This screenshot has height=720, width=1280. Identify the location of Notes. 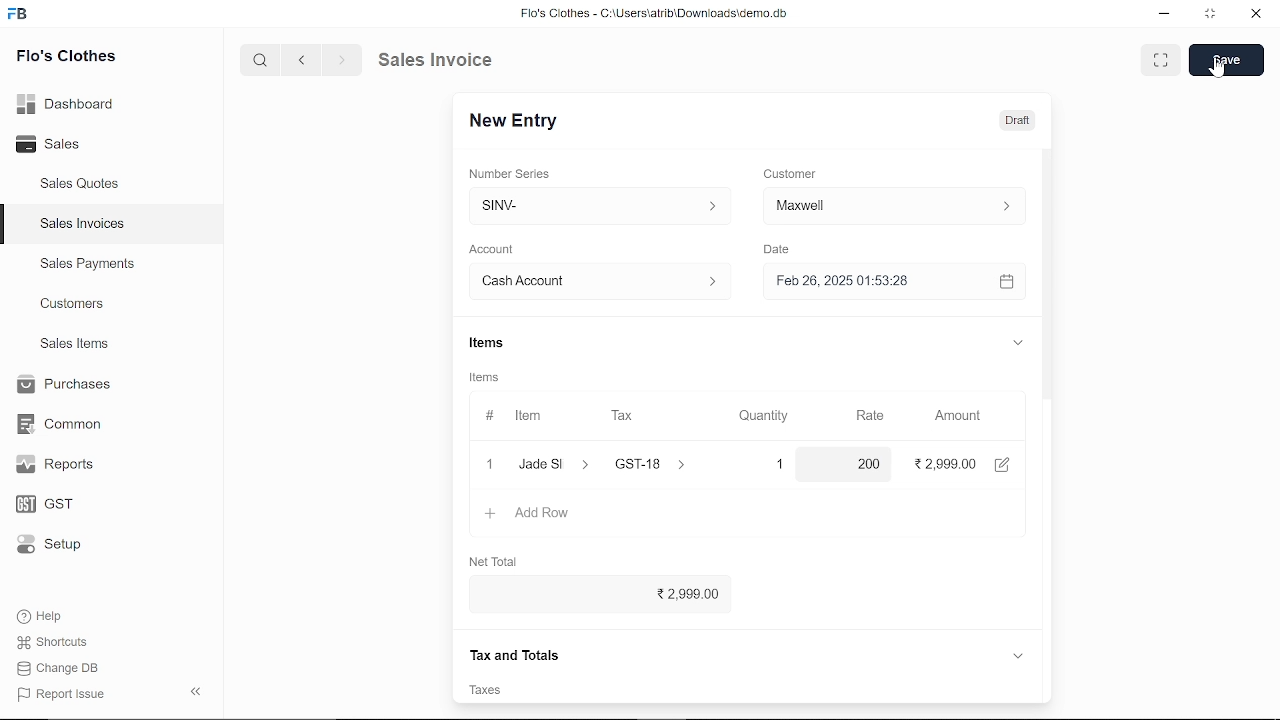
(493, 690).